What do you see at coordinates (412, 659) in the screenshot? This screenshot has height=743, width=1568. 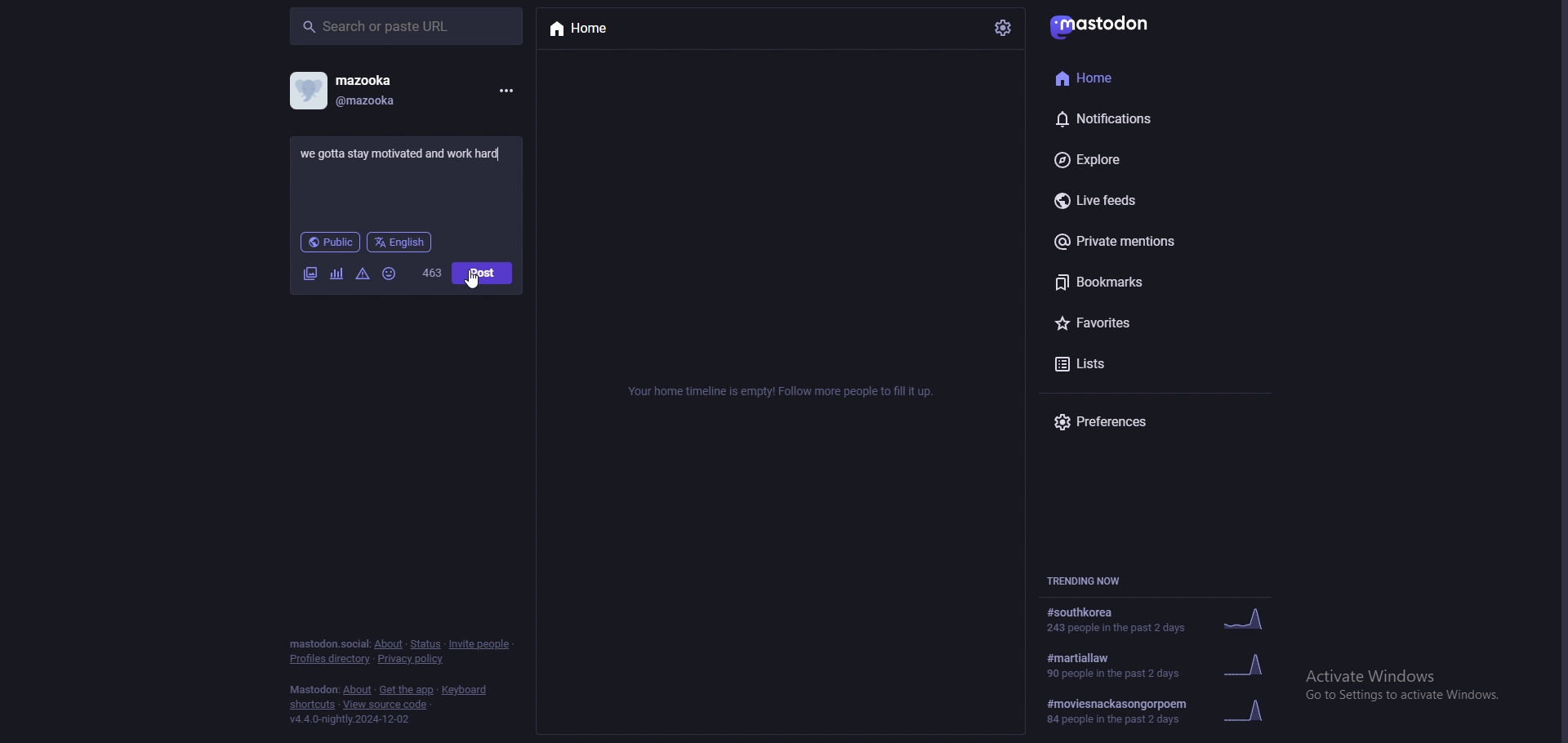 I see `privacy policy` at bounding box center [412, 659].